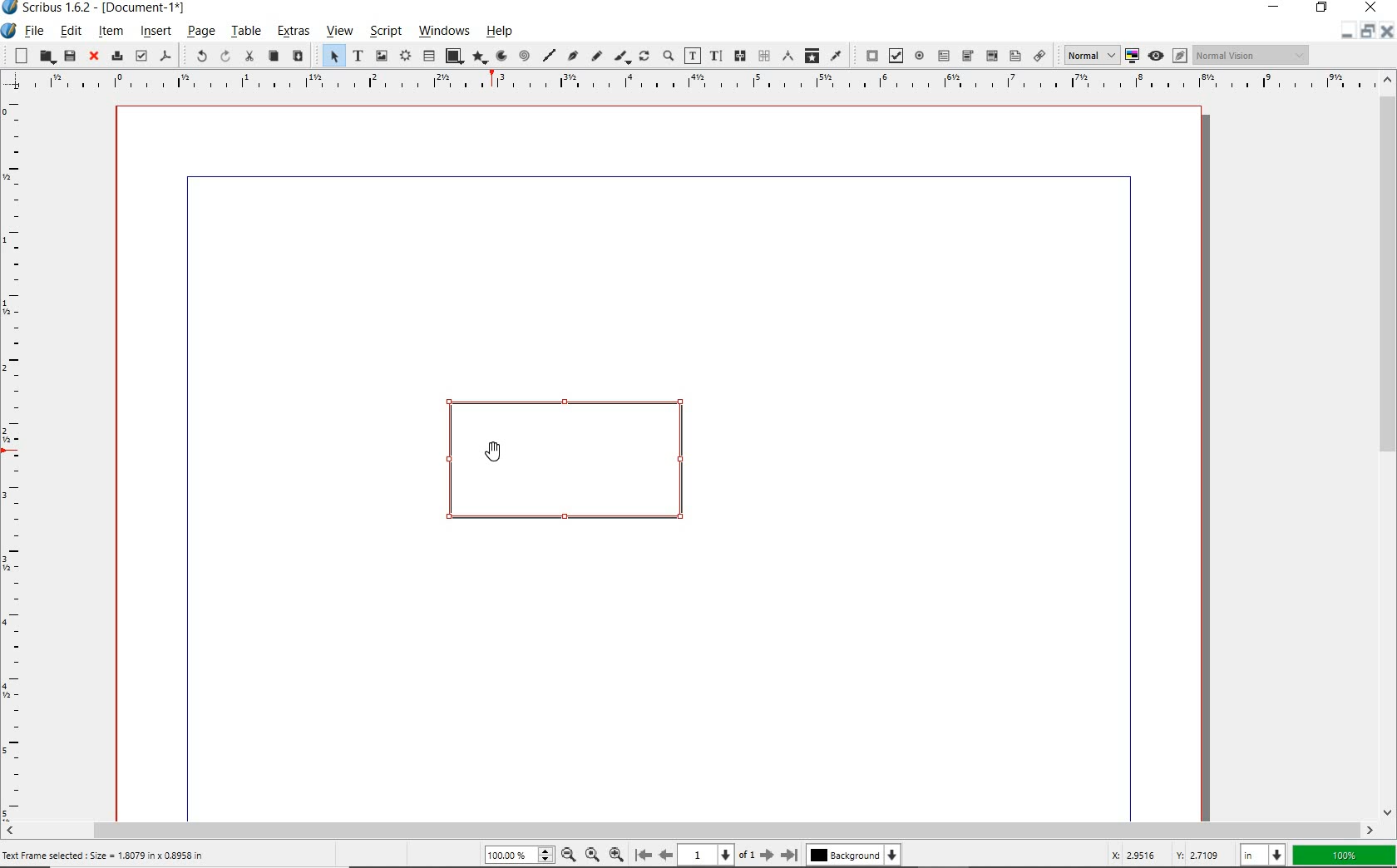 The height and width of the screenshot is (868, 1397). I want to click on Previous Page, so click(667, 856).